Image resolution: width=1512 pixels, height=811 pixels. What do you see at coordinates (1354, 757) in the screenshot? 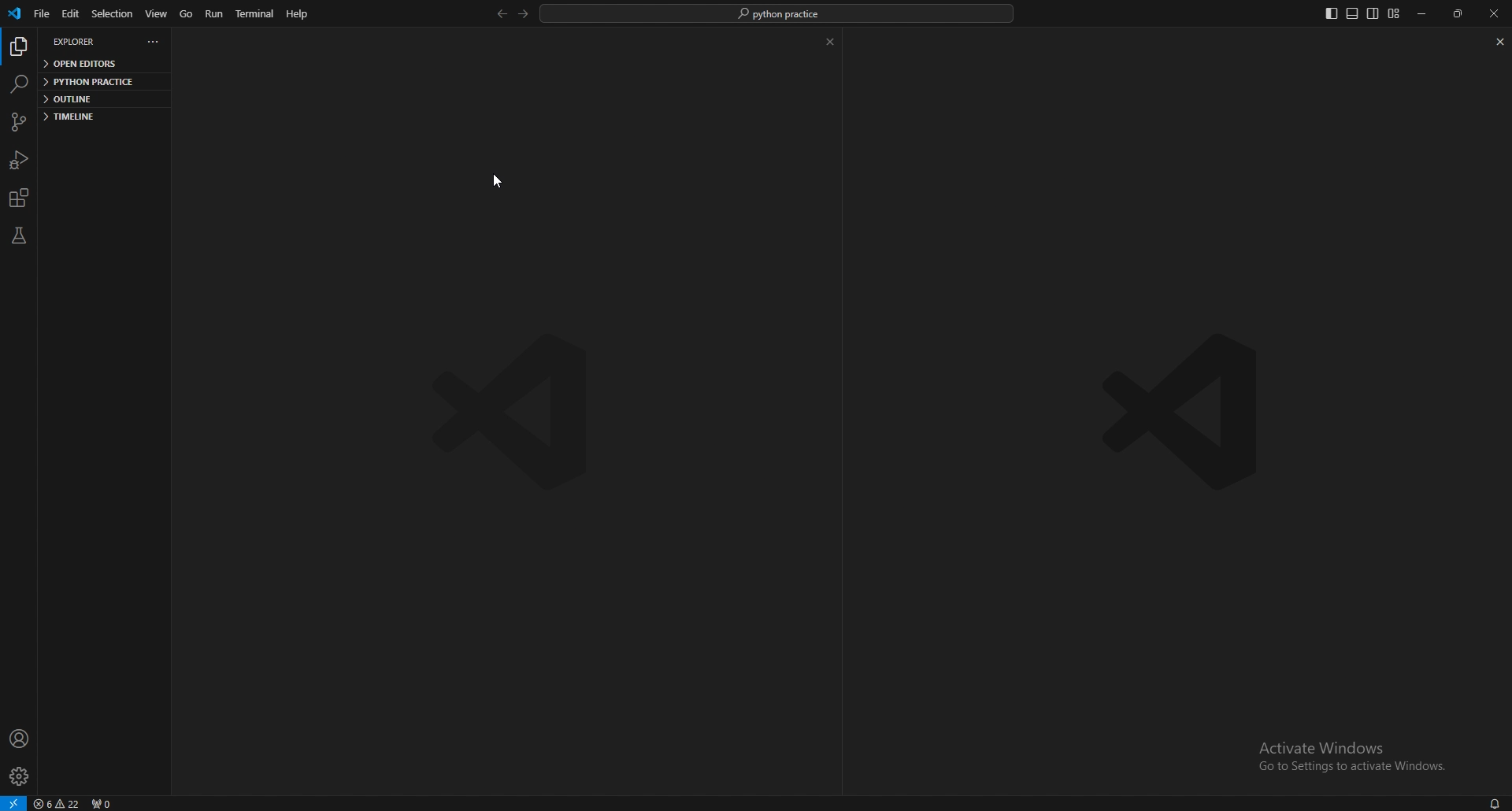
I see `Activate Windows
Go to Settings to activate Windows.` at bounding box center [1354, 757].